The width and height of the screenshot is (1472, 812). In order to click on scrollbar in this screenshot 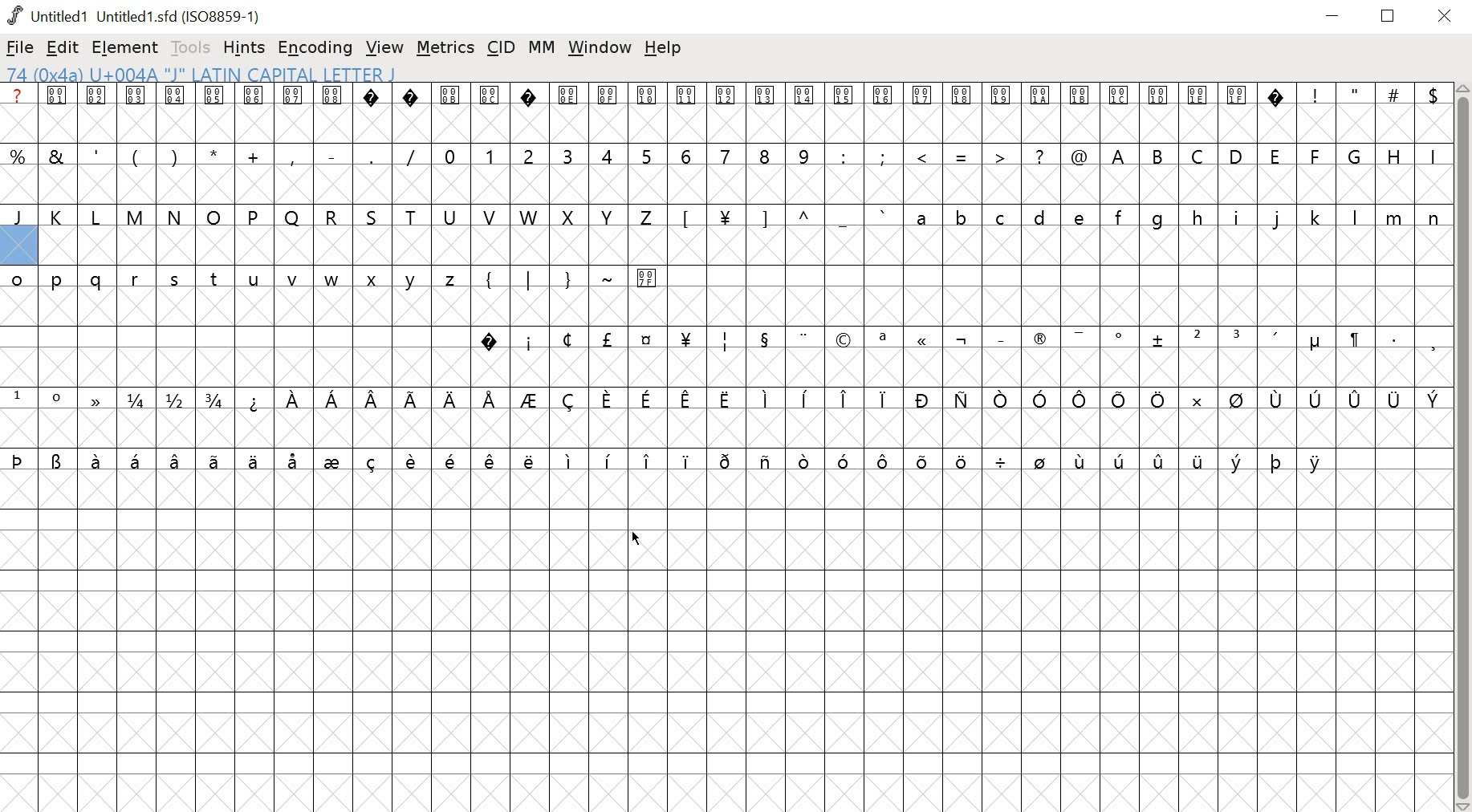, I will do `click(1463, 448)`.